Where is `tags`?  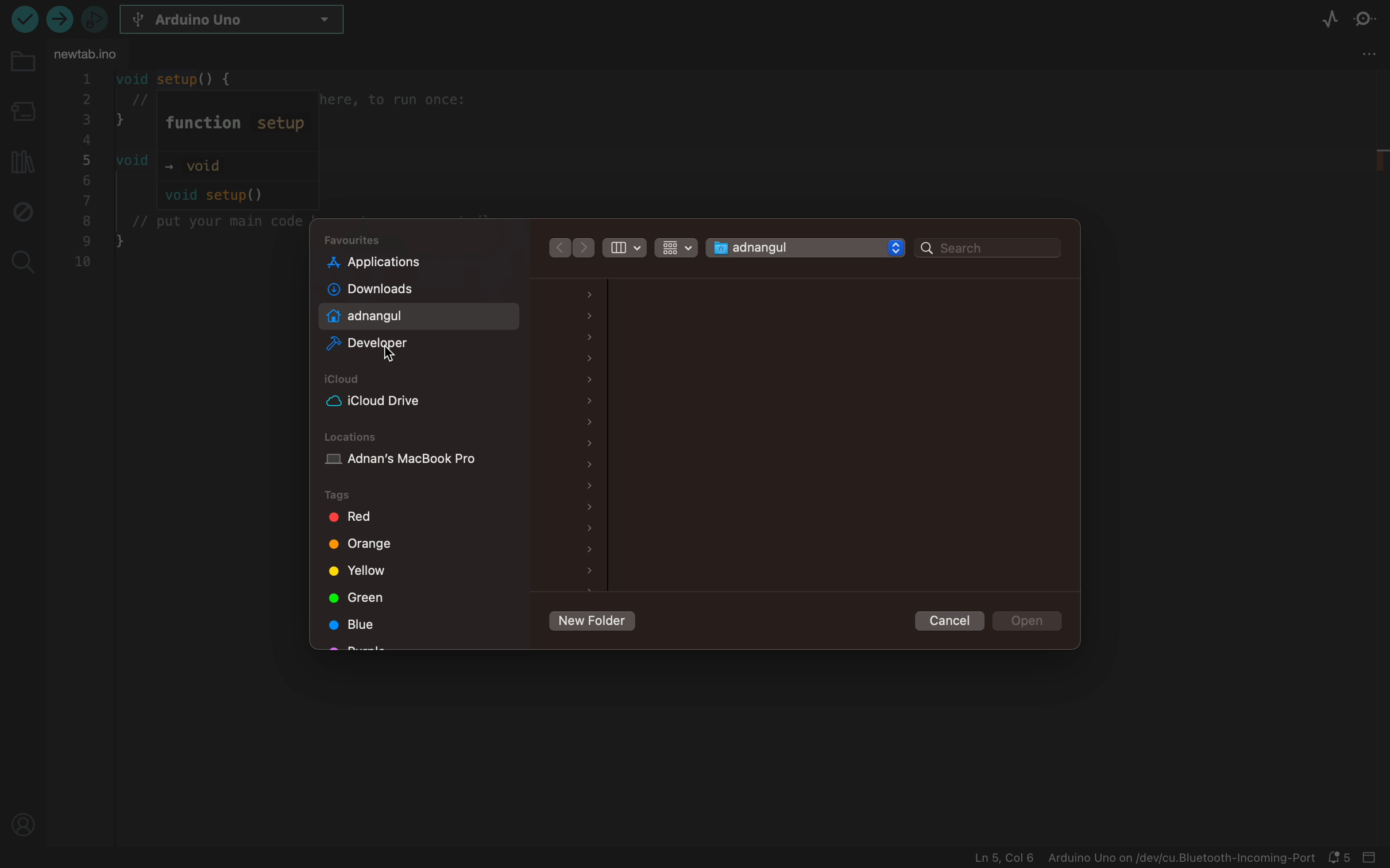 tags is located at coordinates (360, 625).